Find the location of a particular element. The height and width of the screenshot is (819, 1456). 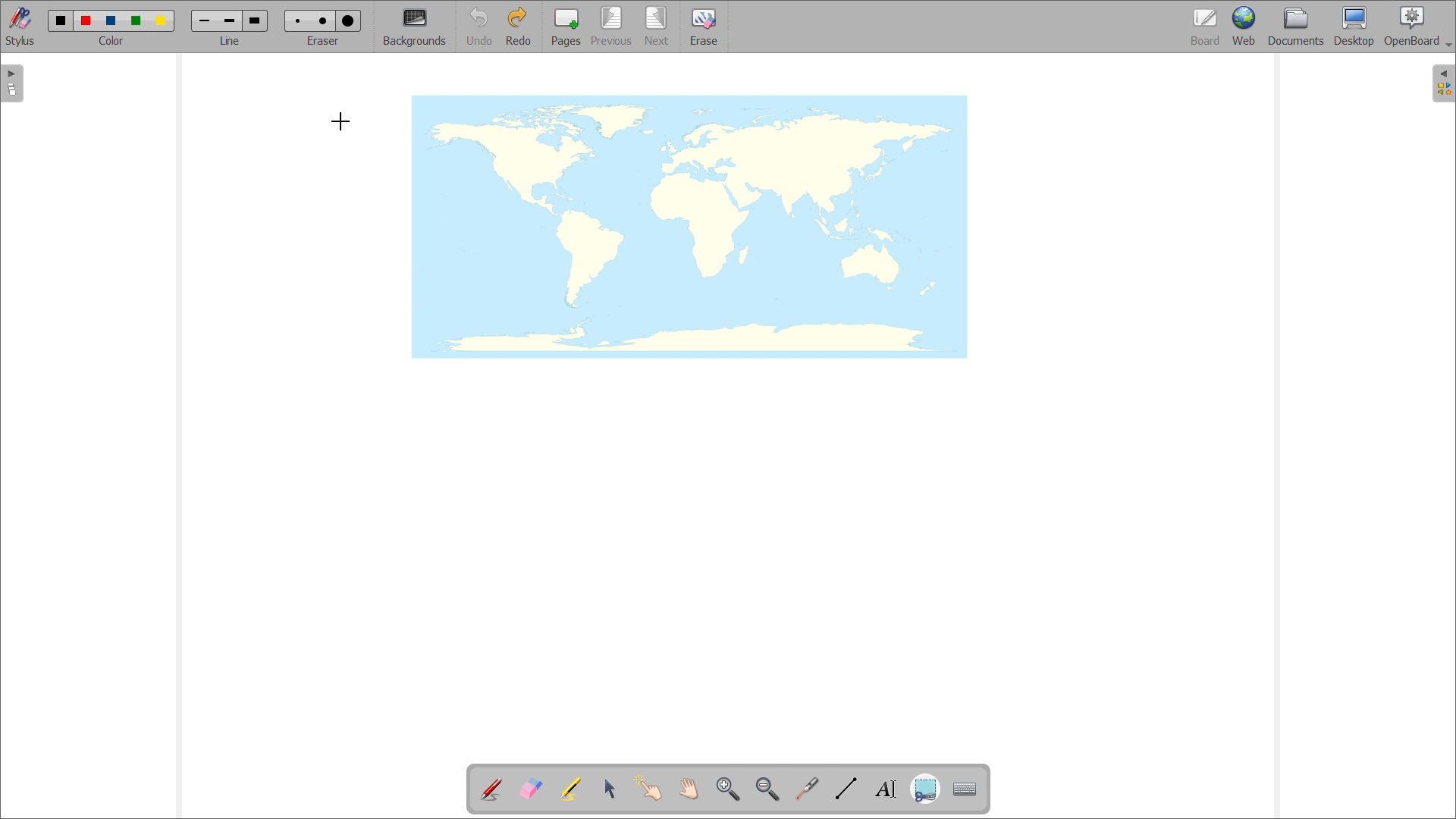

board is located at coordinates (1207, 27).